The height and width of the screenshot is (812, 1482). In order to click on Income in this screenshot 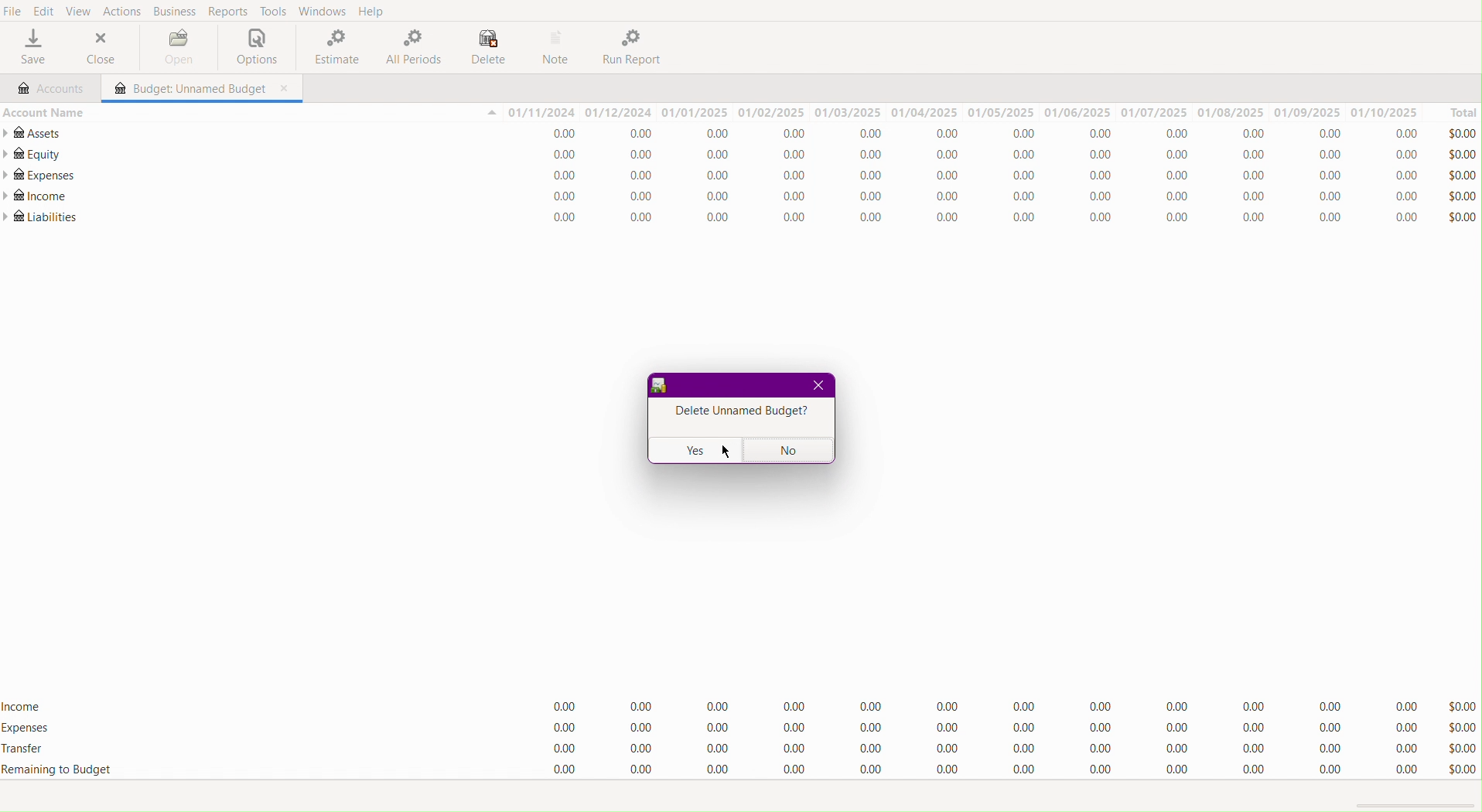, I will do `click(37, 197)`.